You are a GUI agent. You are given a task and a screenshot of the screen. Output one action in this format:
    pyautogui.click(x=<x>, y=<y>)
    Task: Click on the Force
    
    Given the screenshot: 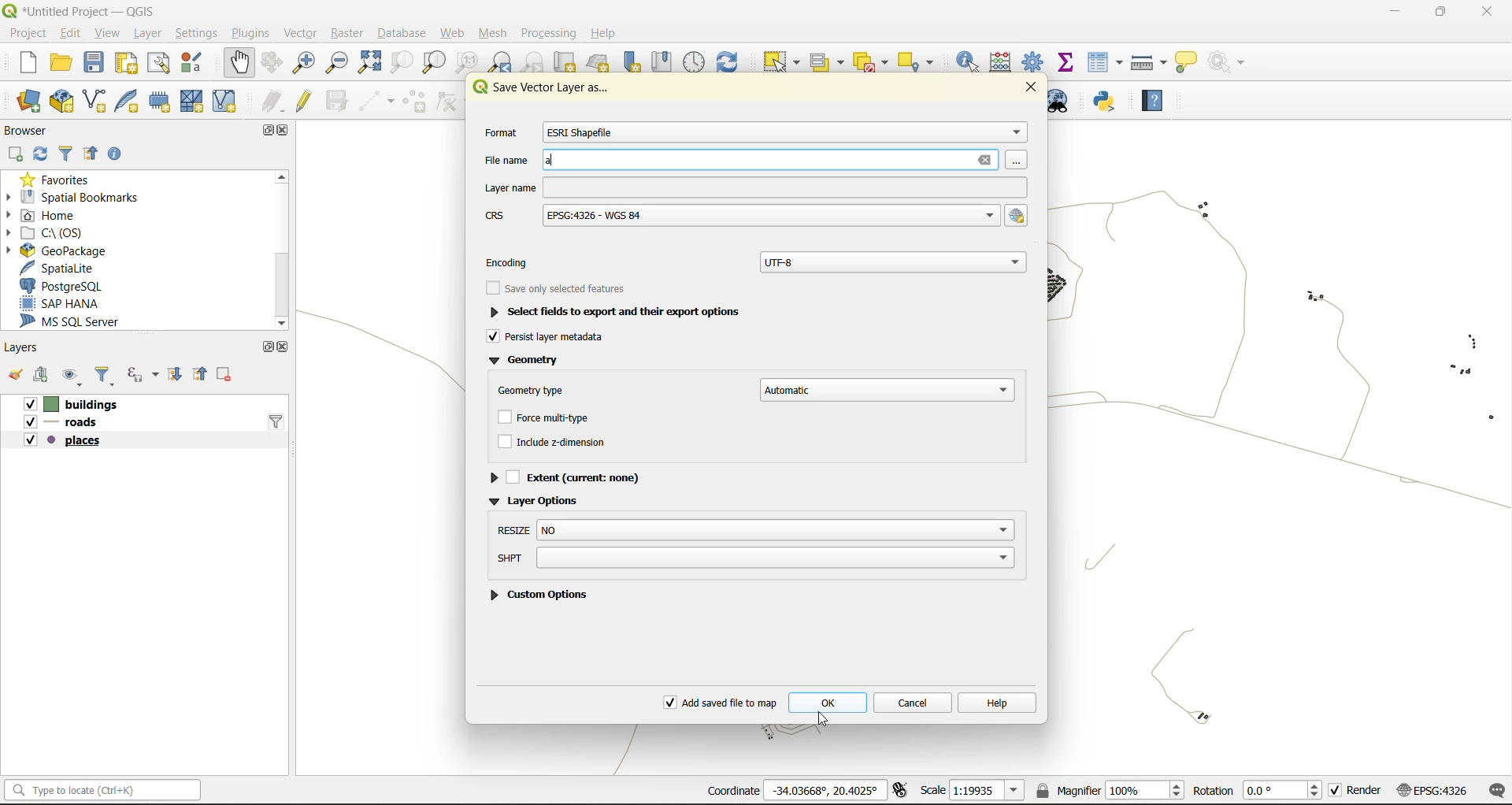 What is the action you would take?
    pyautogui.click(x=555, y=418)
    